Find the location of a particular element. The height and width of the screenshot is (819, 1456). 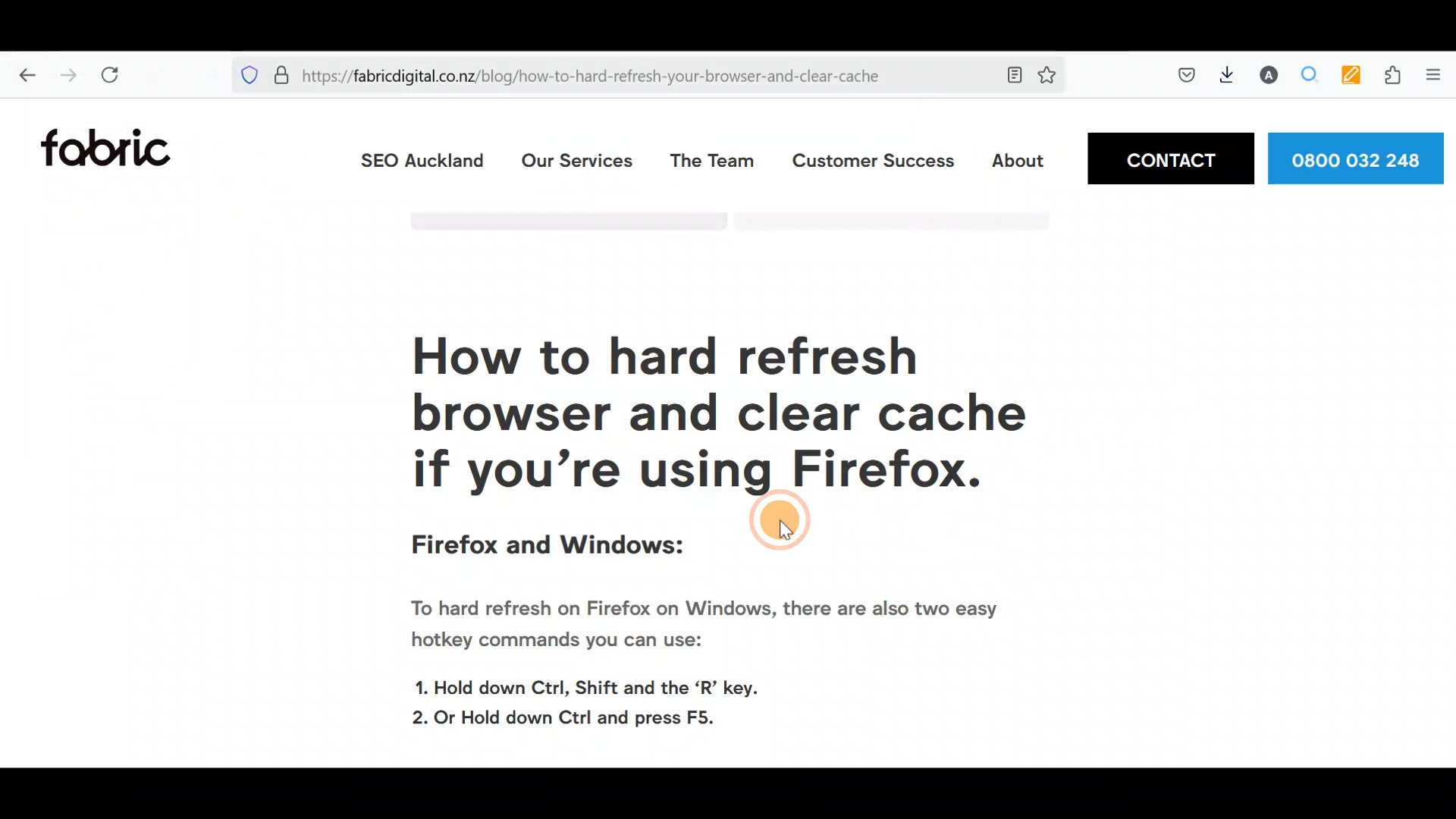

About is located at coordinates (1016, 160).